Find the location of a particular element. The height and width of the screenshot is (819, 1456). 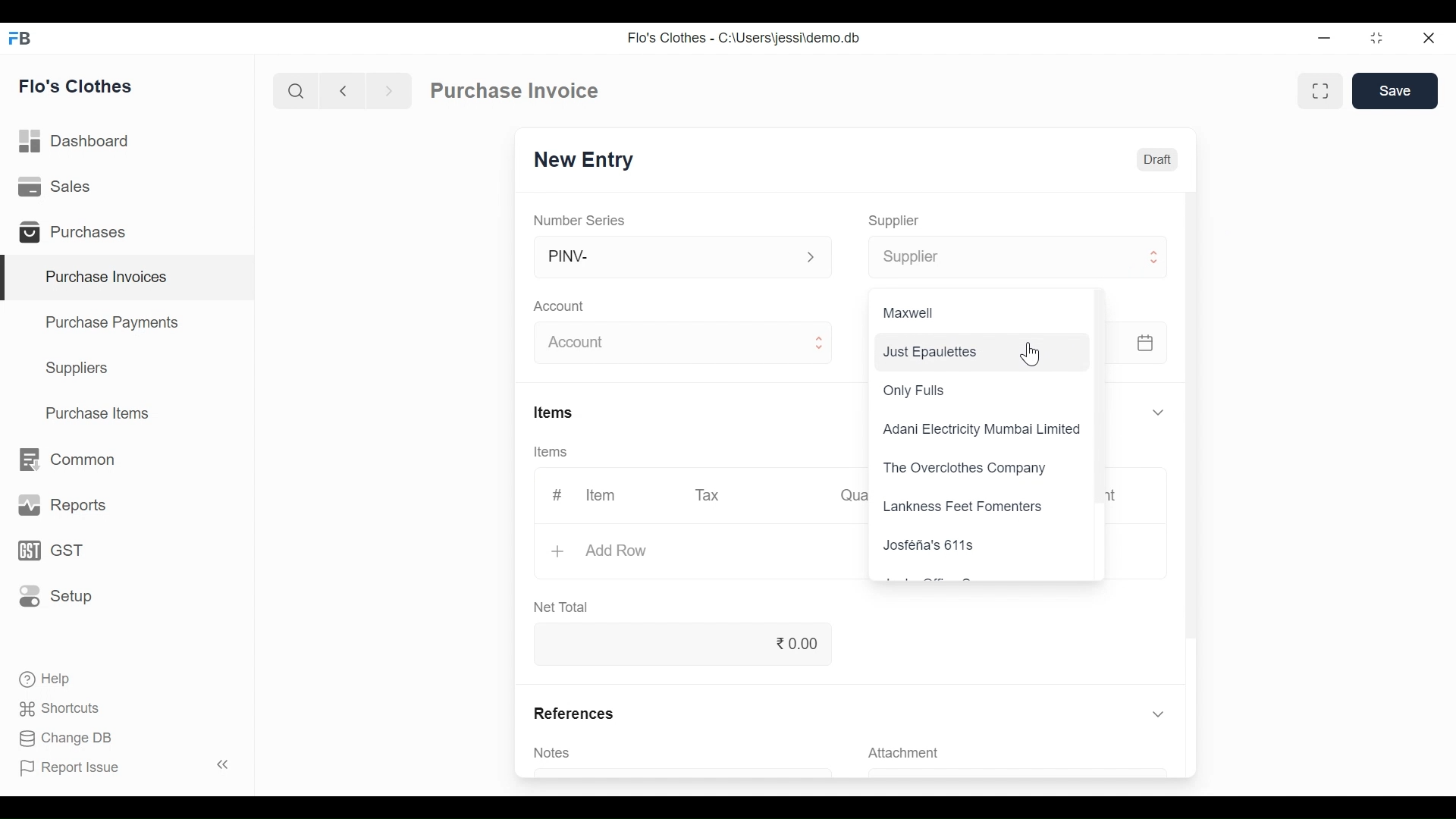

Purchase Payments is located at coordinates (111, 322).